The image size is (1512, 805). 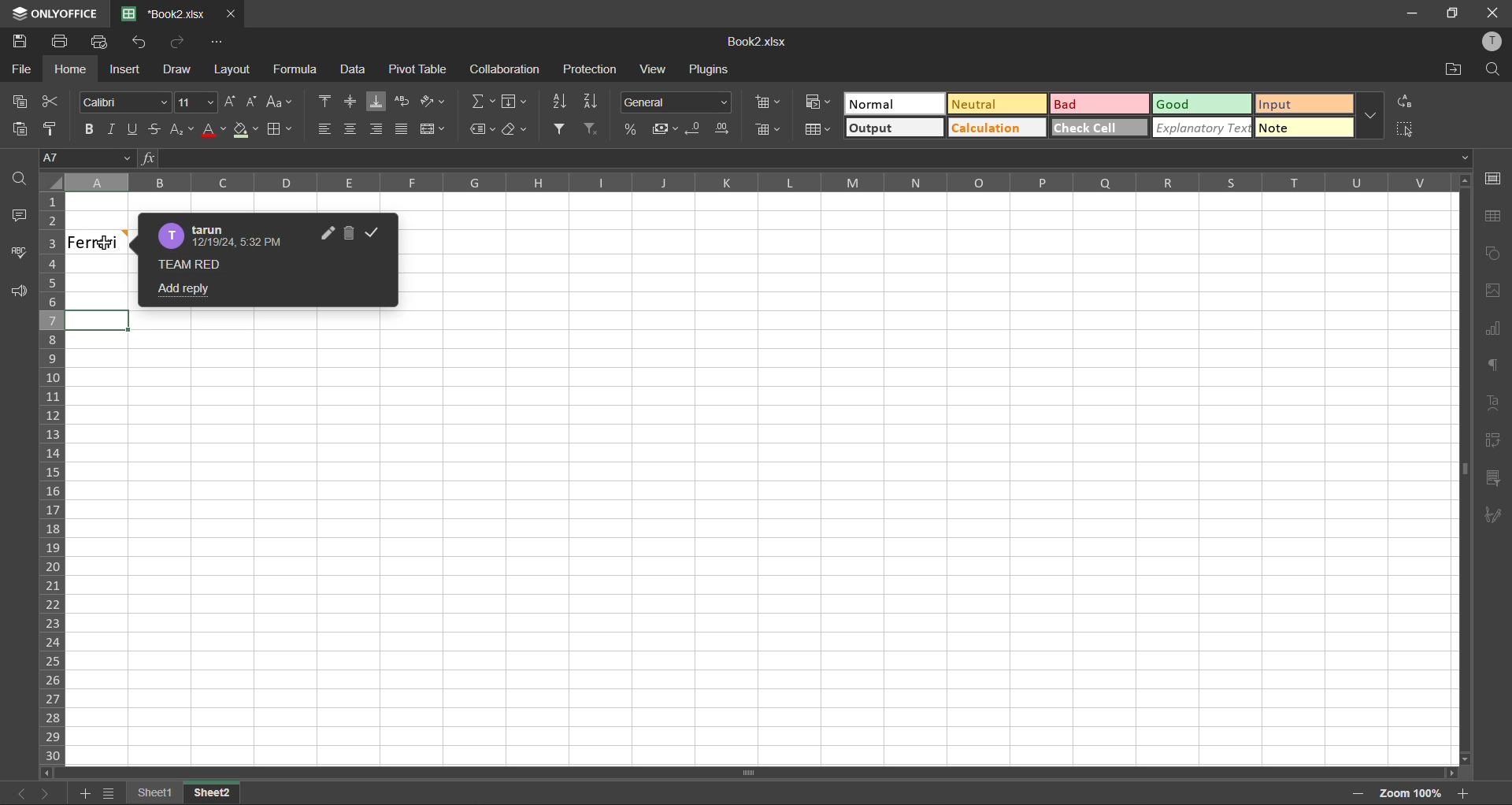 I want to click on OnlyOffice, so click(x=53, y=13).